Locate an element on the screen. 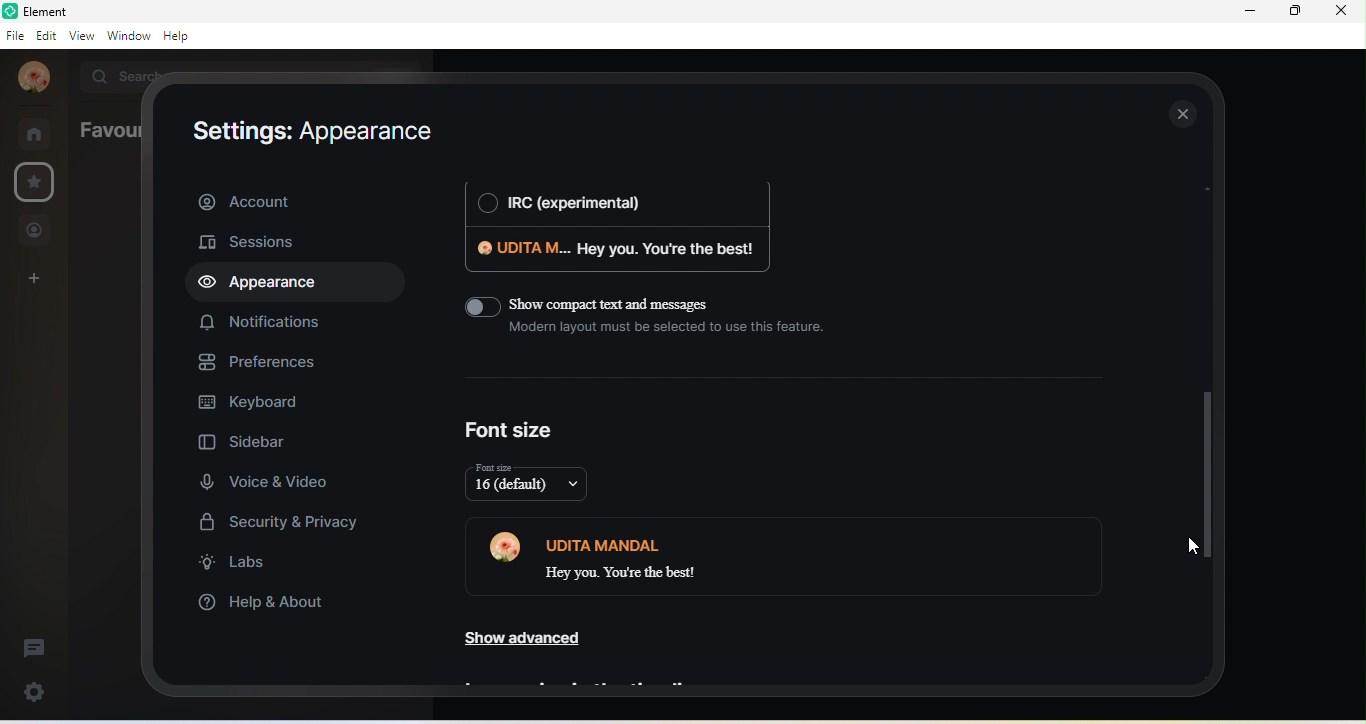 This screenshot has width=1366, height=724. security and privacy is located at coordinates (277, 523).